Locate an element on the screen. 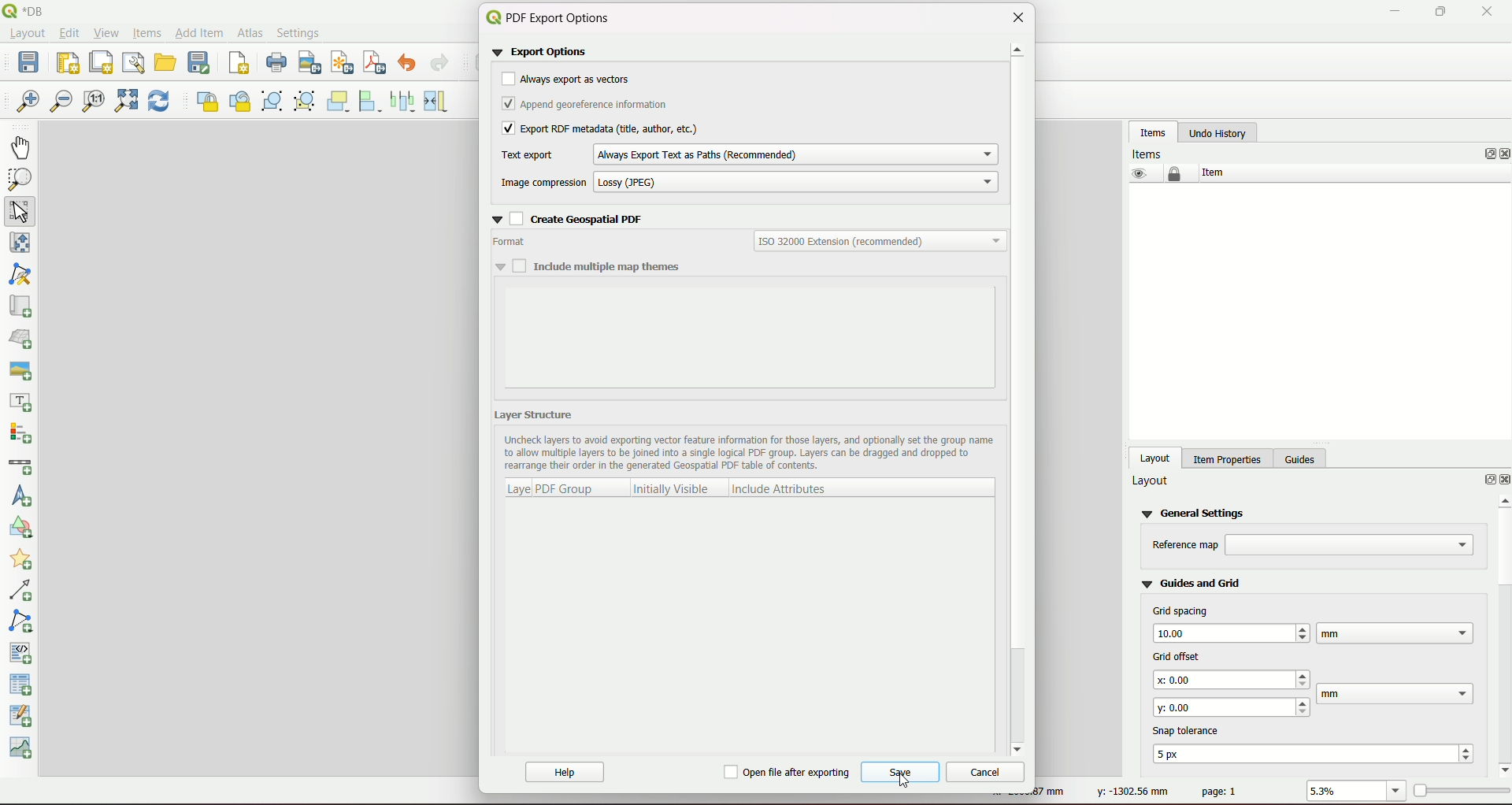 The image size is (1512, 805). save project is located at coordinates (31, 64).